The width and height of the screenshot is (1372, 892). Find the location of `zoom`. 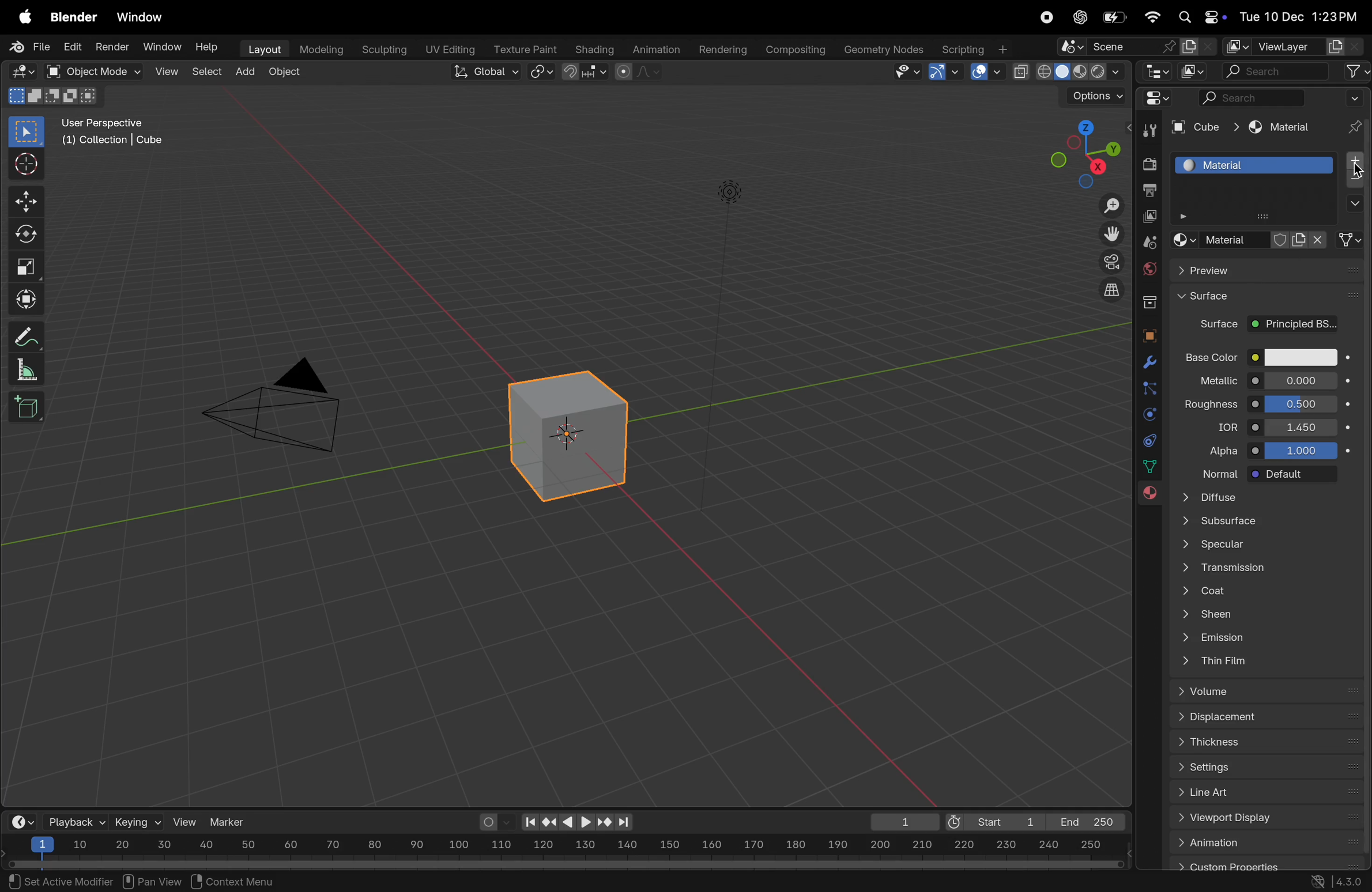

zoom is located at coordinates (1106, 207).